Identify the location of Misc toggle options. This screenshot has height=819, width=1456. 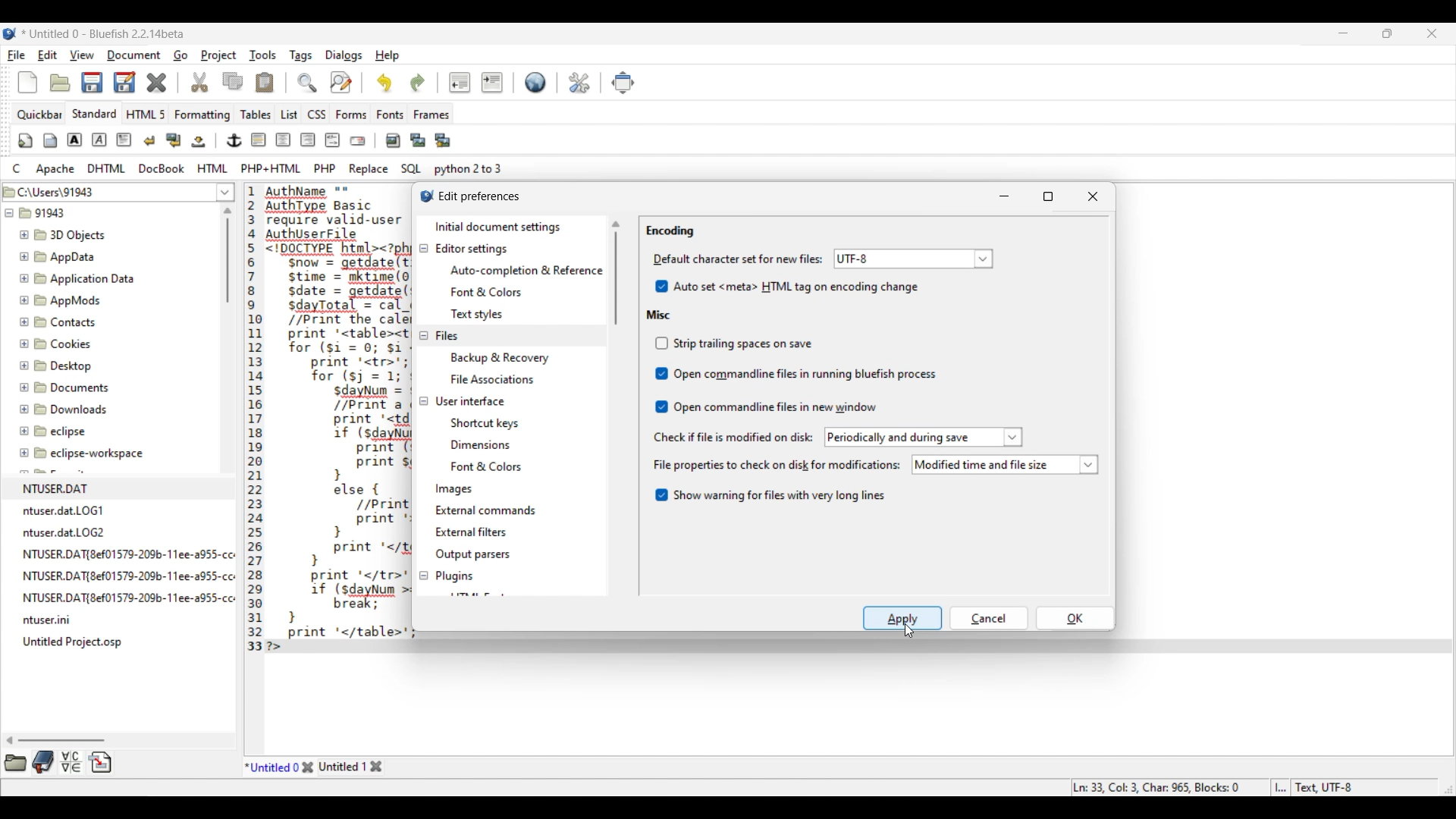
(808, 376).